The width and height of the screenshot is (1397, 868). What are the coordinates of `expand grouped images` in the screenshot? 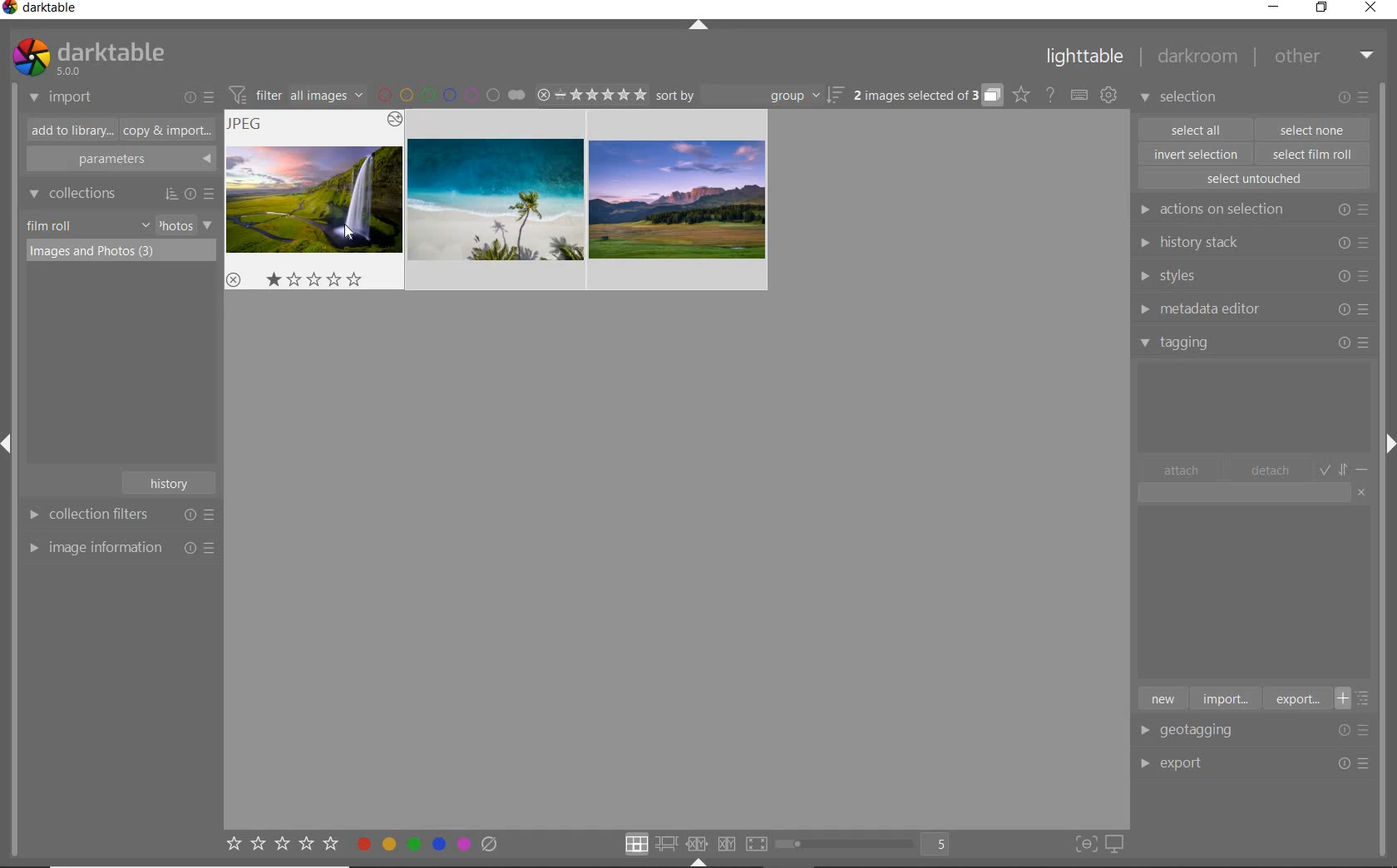 It's located at (926, 96).